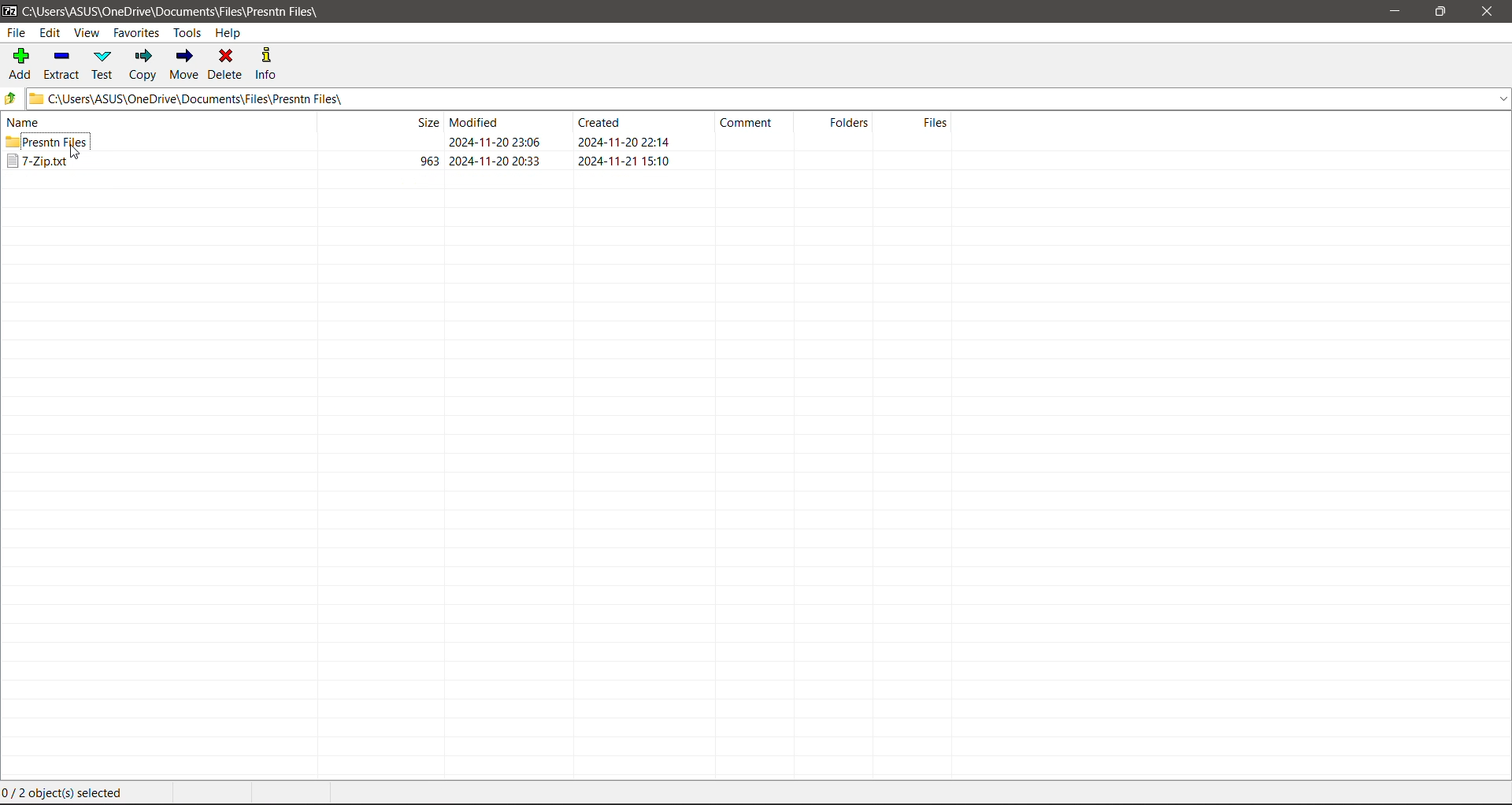 This screenshot has height=805, width=1512. What do you see at coordinates (479, 142) in the screenshot?
I see `Destination Folder where the file is copied to` at bounding box center [479, 142].